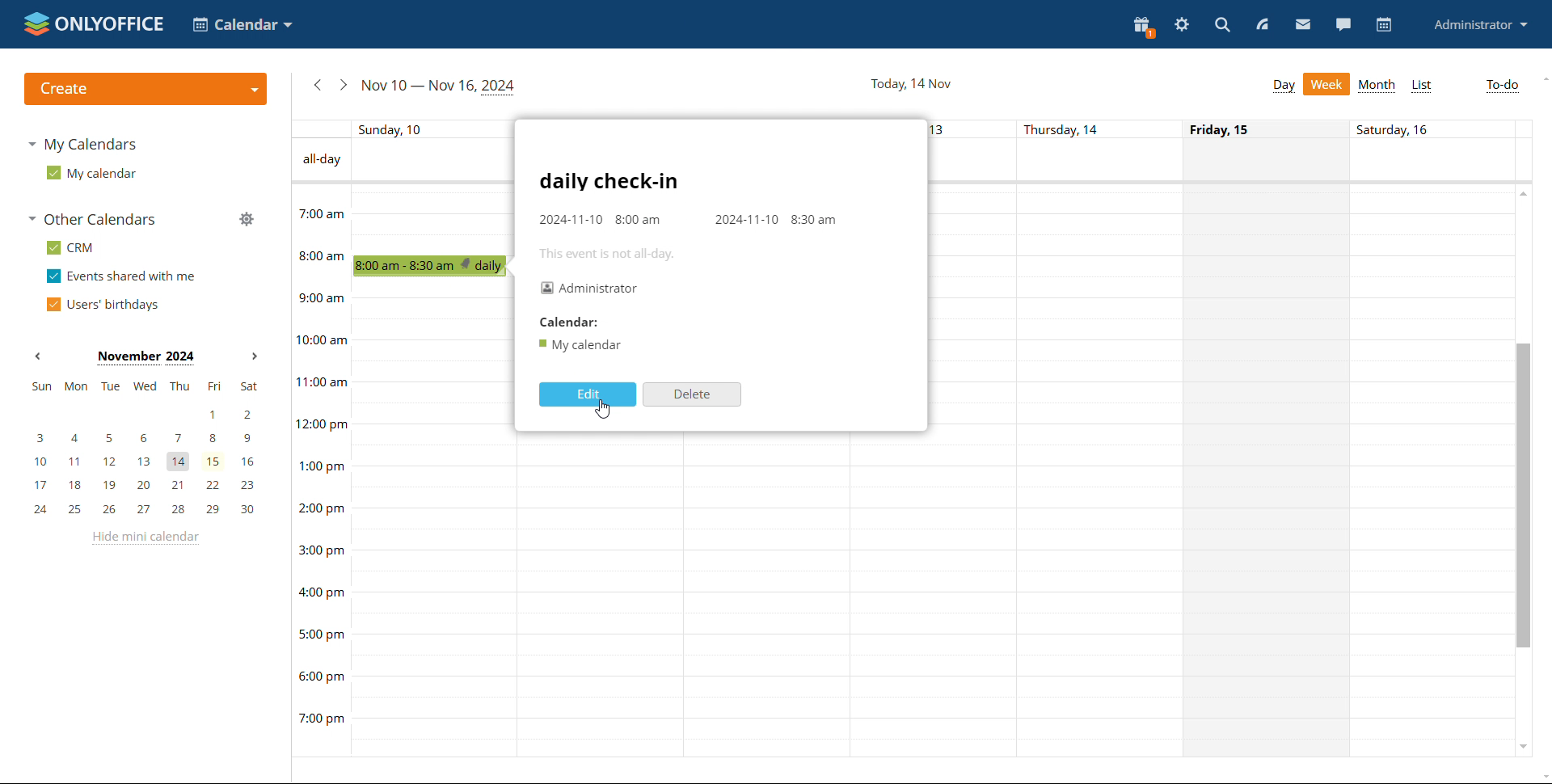  Describe the element at coordinates (910, 82) in the screenshot. I see `current date` at that location.